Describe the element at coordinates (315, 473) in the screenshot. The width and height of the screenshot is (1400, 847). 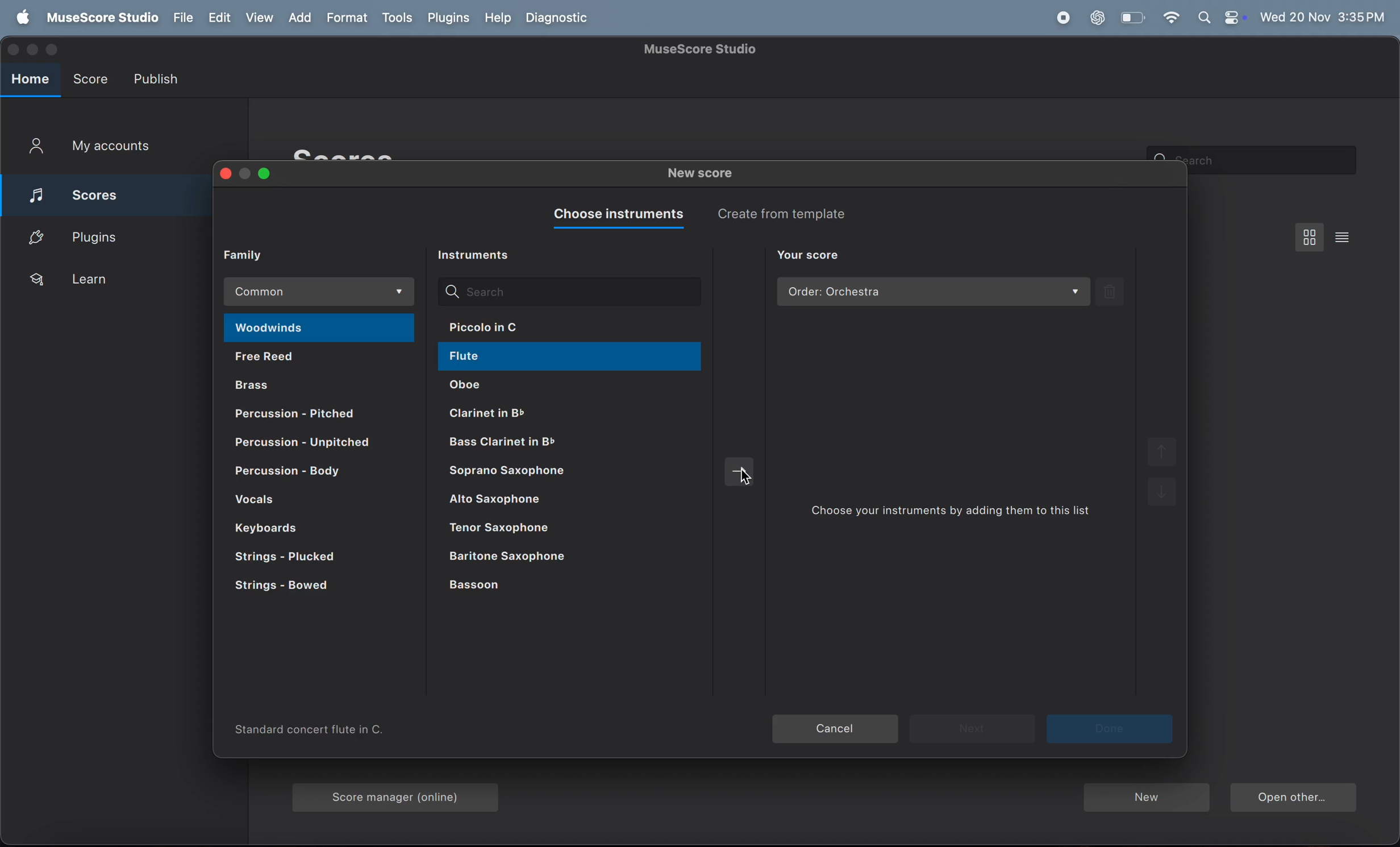
I see `percussion body` at that location.